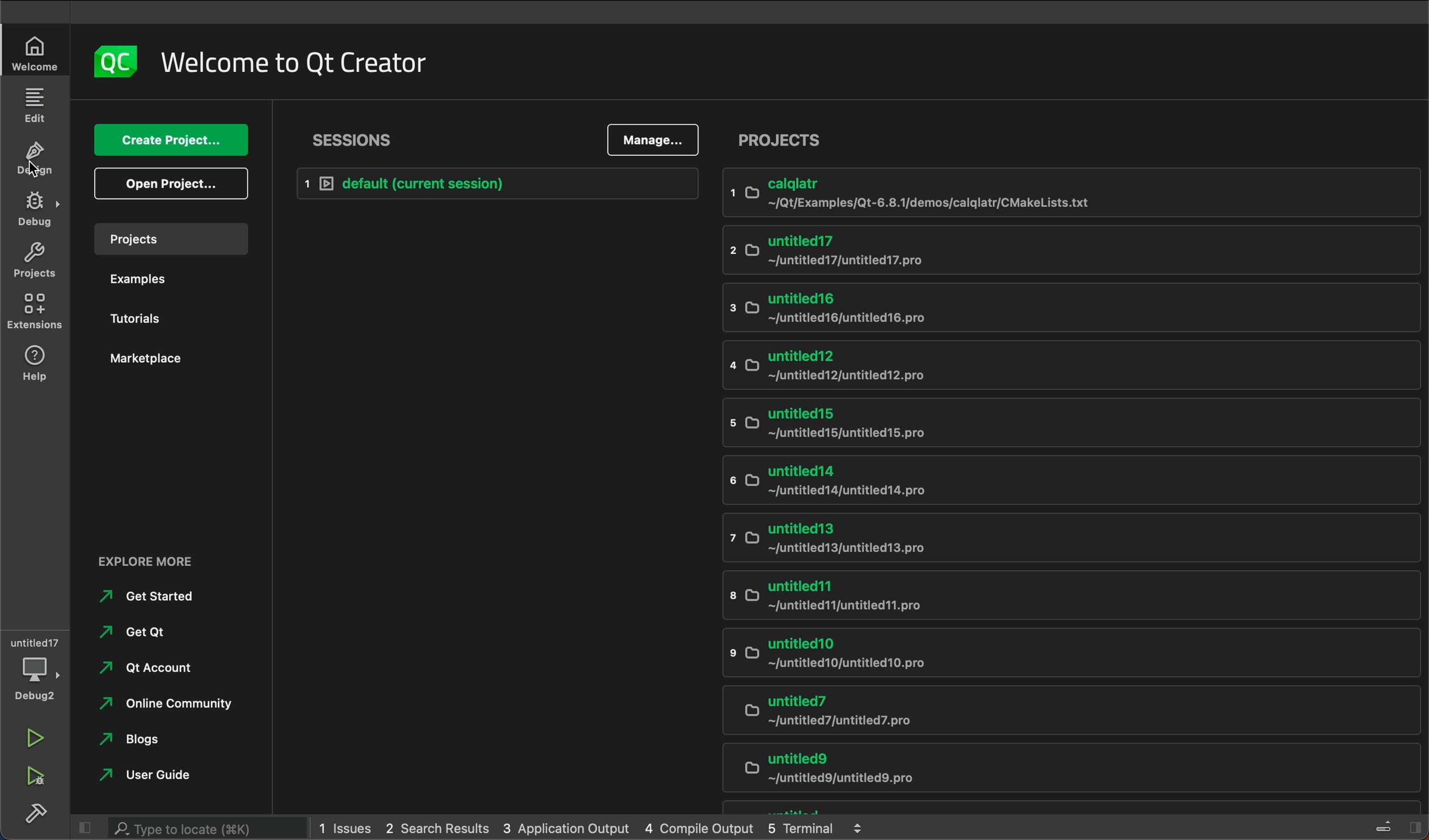 This screenshot has height=840, width=1429. What do you see at coordinates (344, 827) in the screenshot?
I see `1 Issues` at bounding box center [344, 827].